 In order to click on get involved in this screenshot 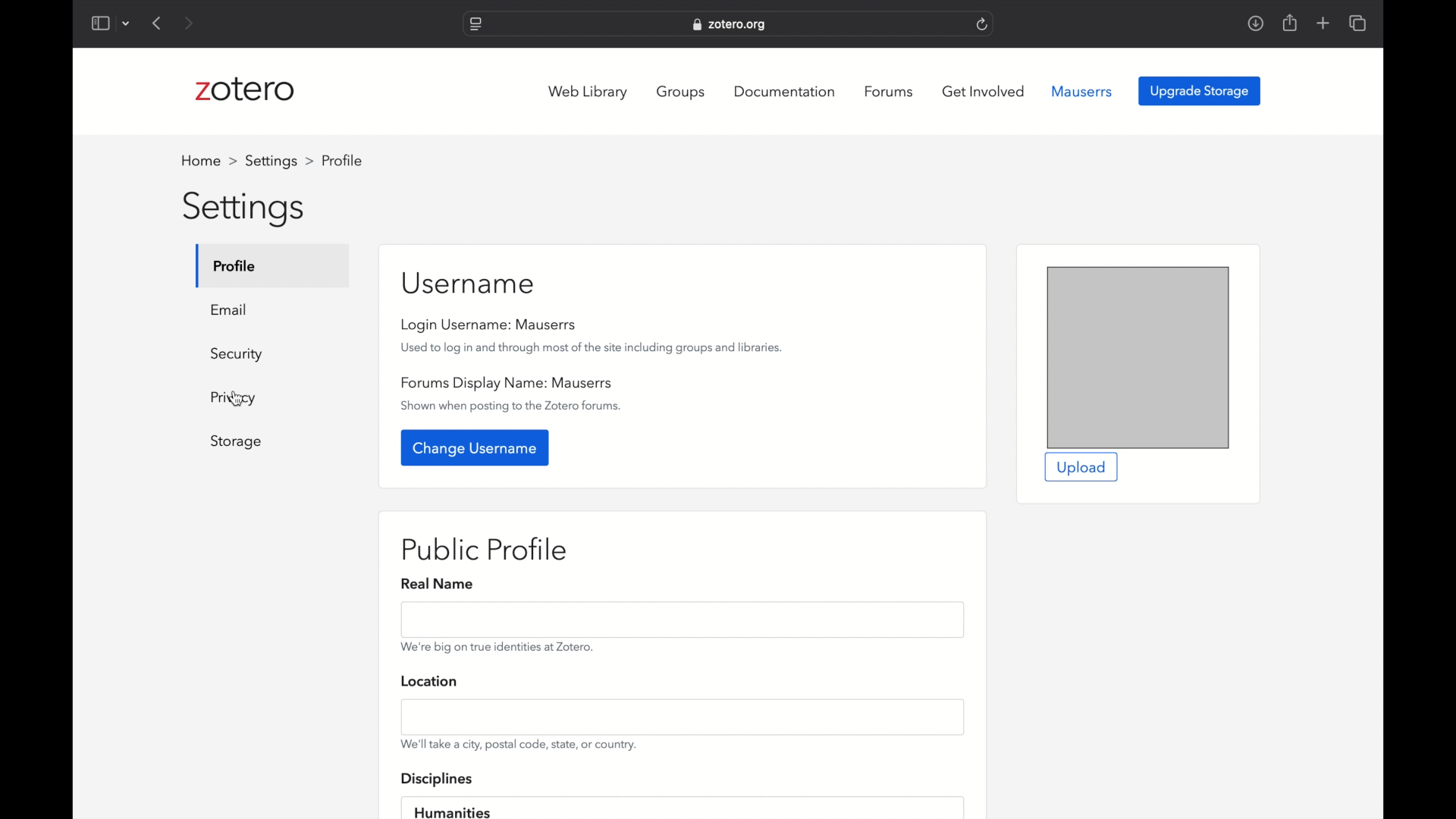, I will do `click(984, 91)`.